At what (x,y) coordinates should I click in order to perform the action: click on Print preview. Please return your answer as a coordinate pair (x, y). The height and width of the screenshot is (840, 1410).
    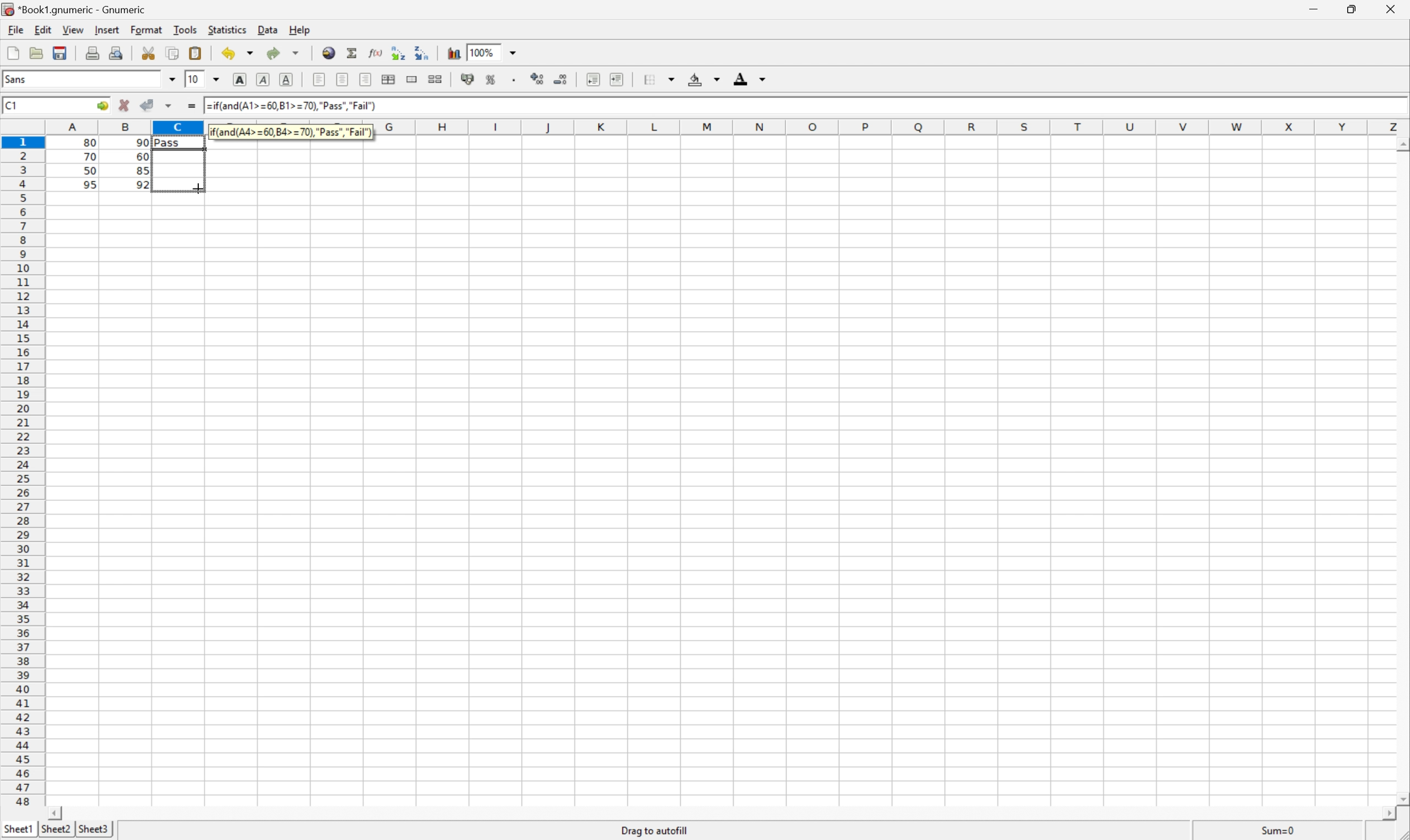
    Looking at the image, I should click on (117, 53).